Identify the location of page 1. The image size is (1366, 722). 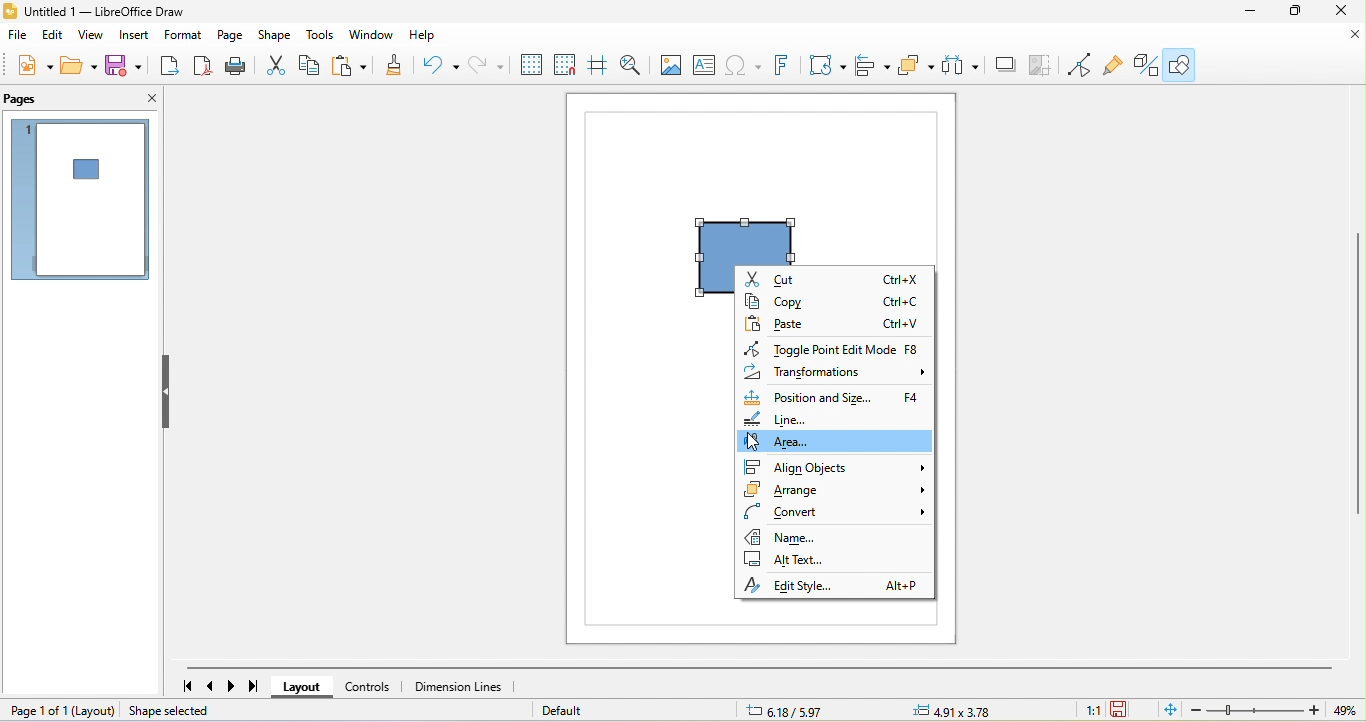
(79, 203).